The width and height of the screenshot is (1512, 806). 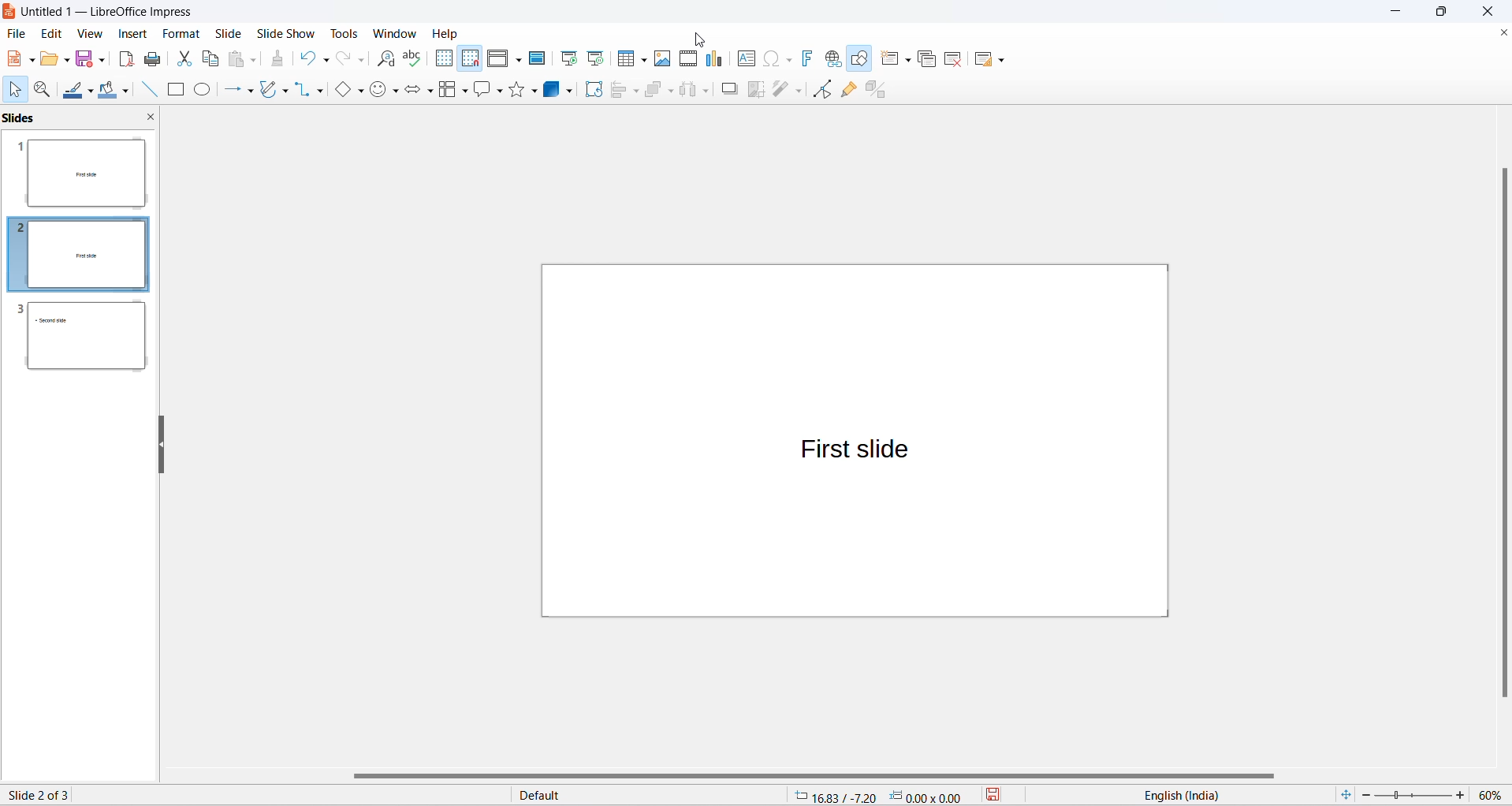 I want to click on maximize, so click(x=1443, y=13).